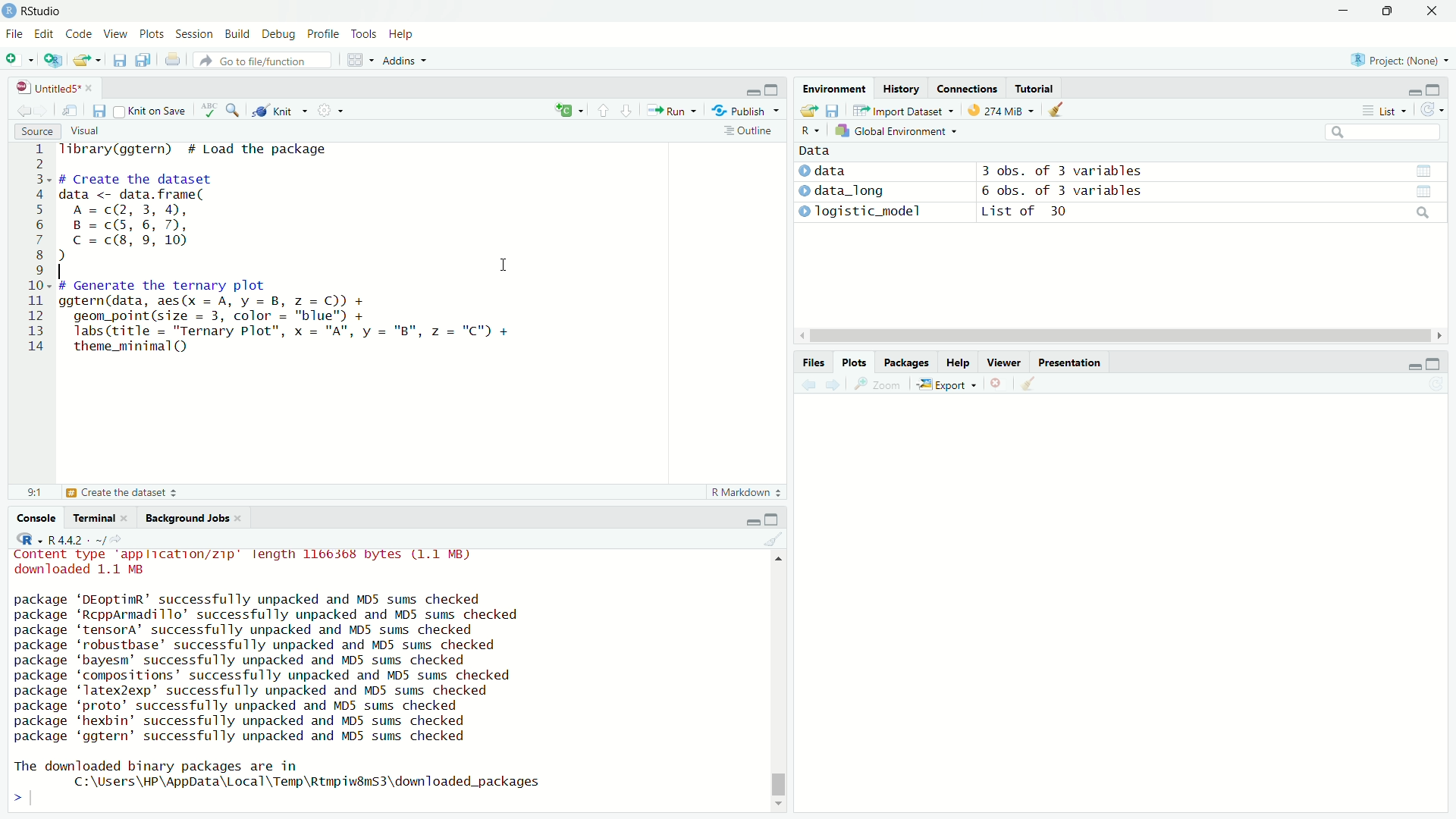  What do you see at coordinates (99, 111) in the screenshot?
I see `save` at bounding box center [99, 111].